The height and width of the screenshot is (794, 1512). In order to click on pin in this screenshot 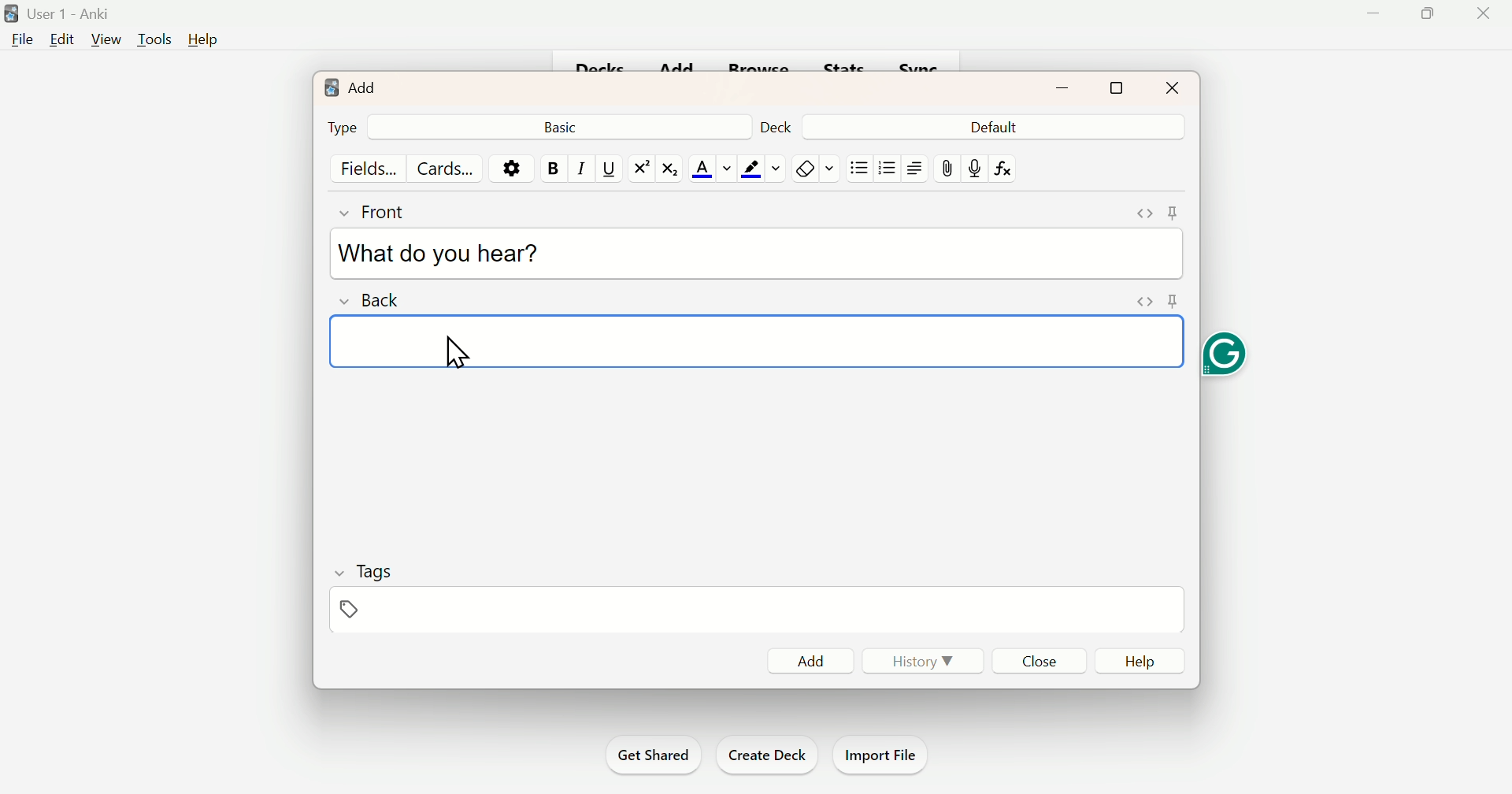, I will do `click(1172, 301)`.